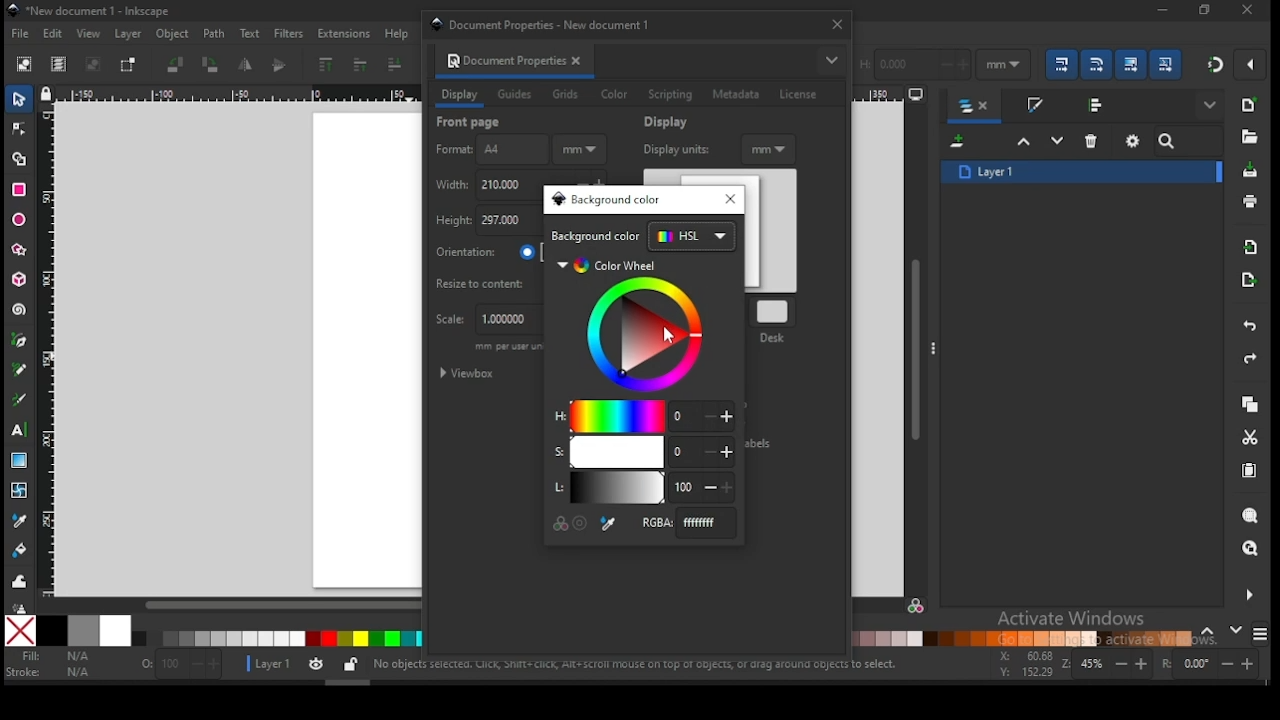 Image resolution: width=1280 pixels, height=720 pixels. I want to click on copy, so click(1249, 405).